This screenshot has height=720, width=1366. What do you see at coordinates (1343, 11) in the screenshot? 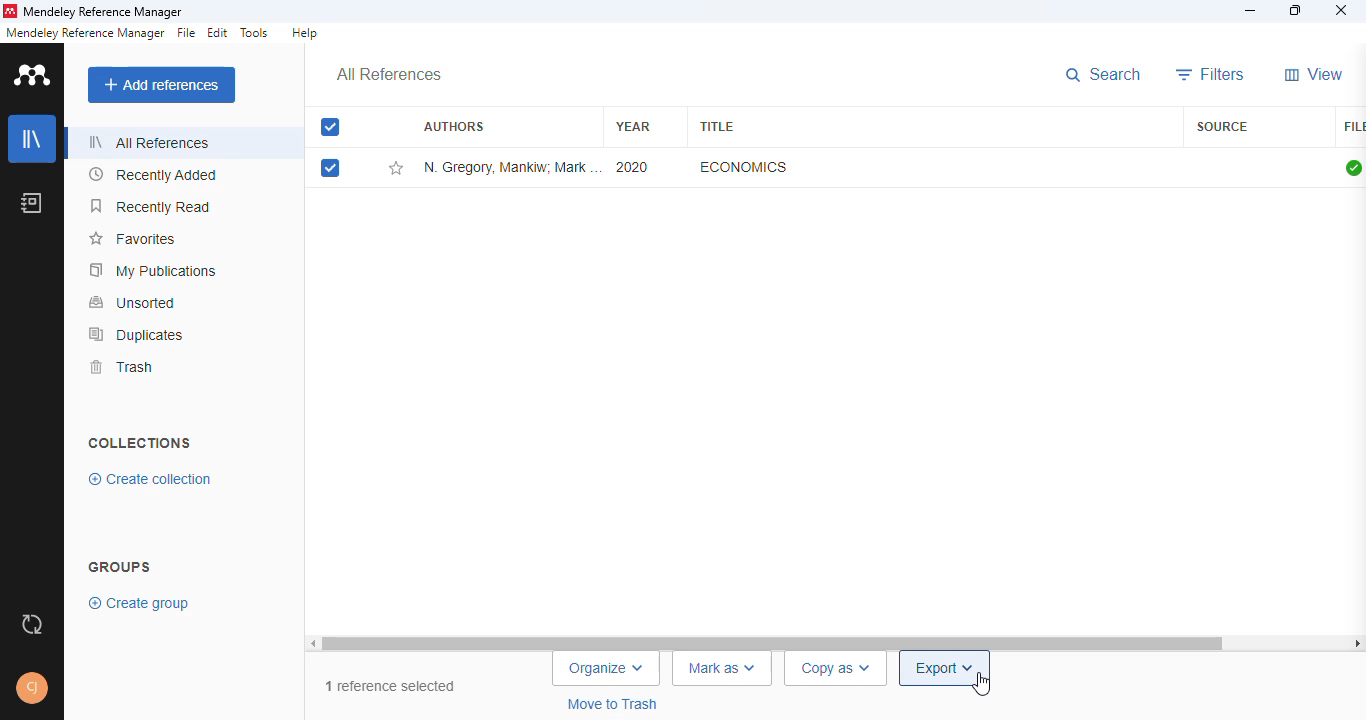
I see `close` at bounding box center [1343, 11].